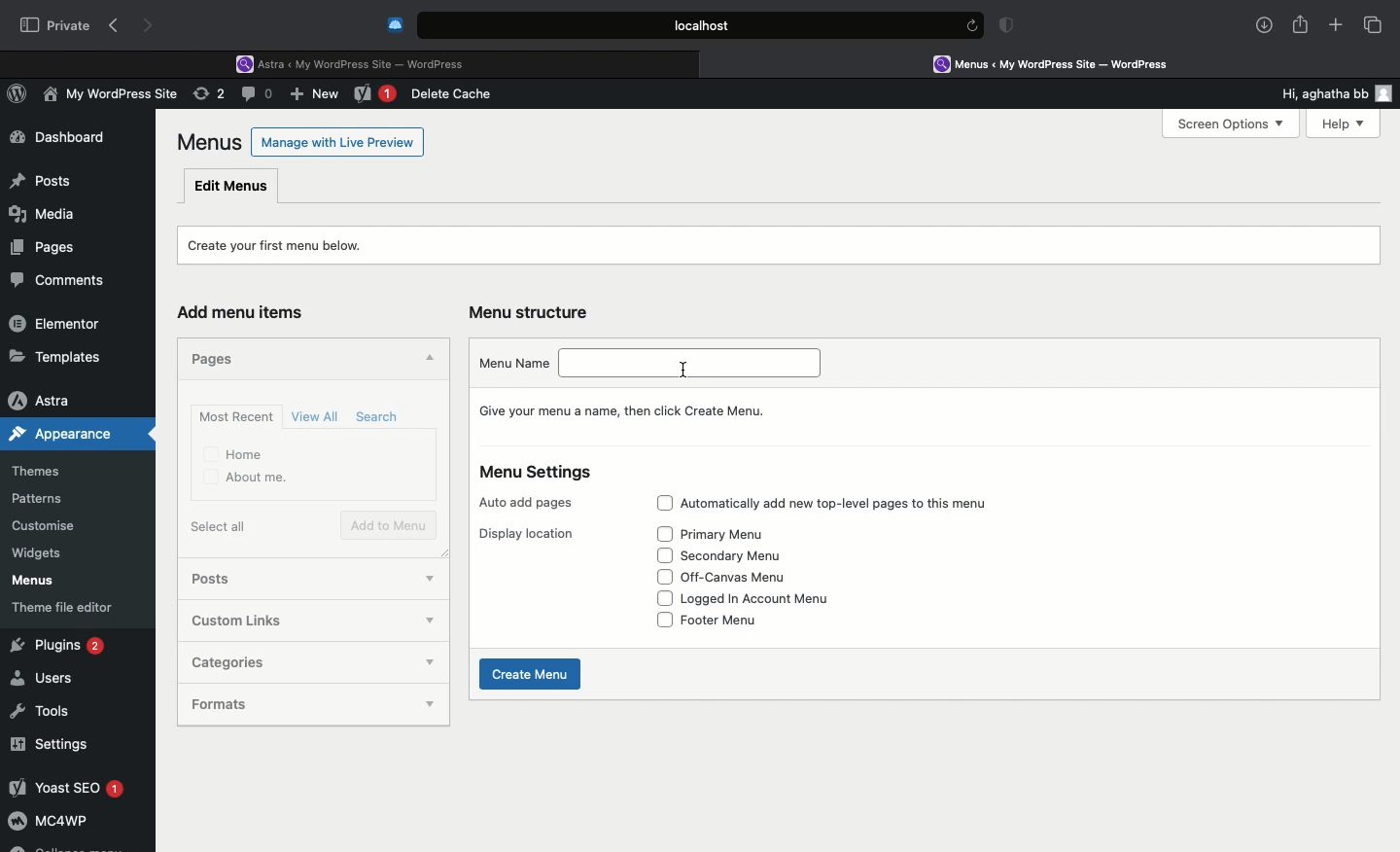 This screenshot has width=1400, height=852. Describe the element at coordinates (211, 142) in the screenshot. I see `Menus` at that location.